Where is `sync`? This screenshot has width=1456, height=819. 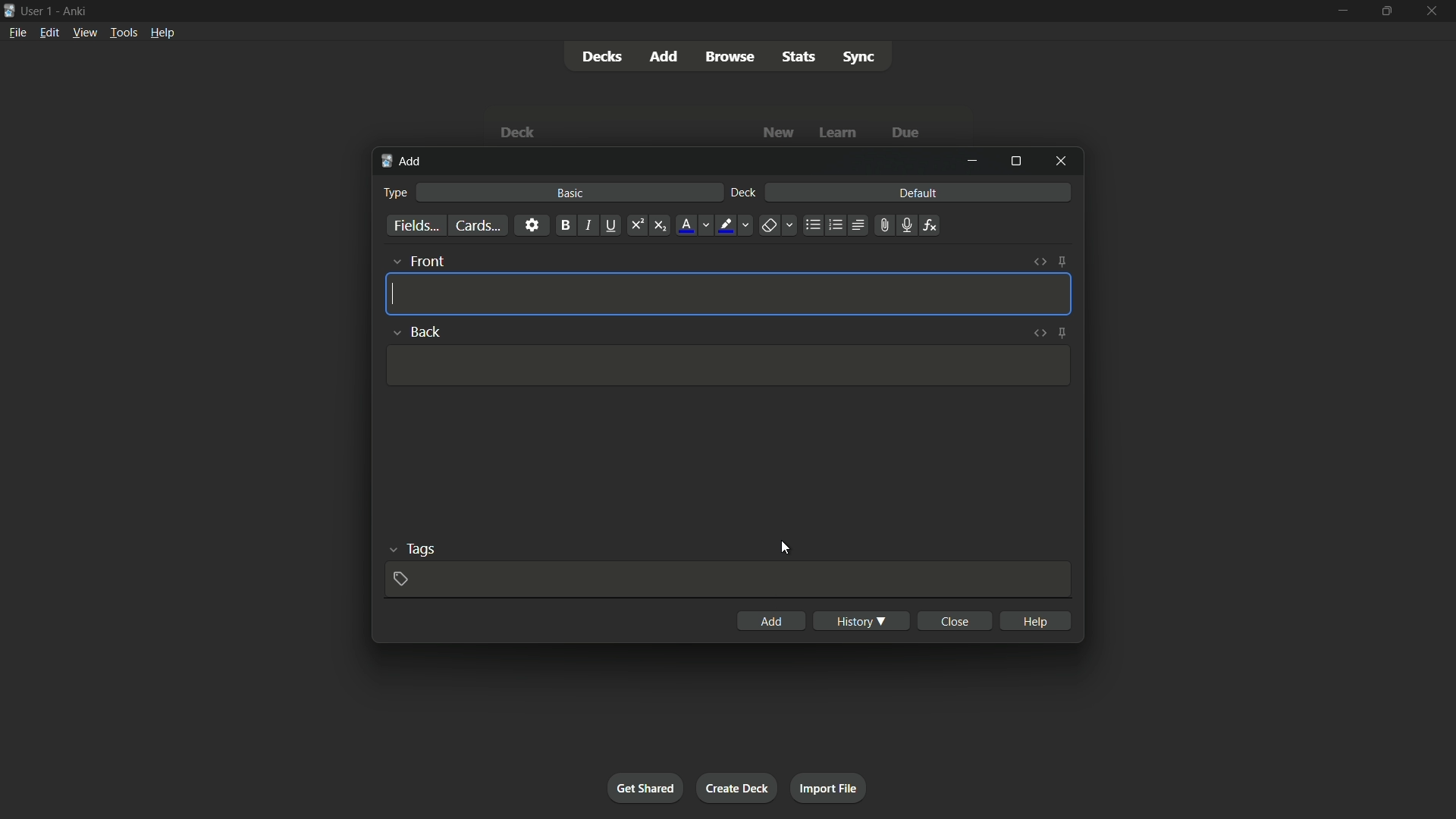
sync is located at coordinates (861, 58).